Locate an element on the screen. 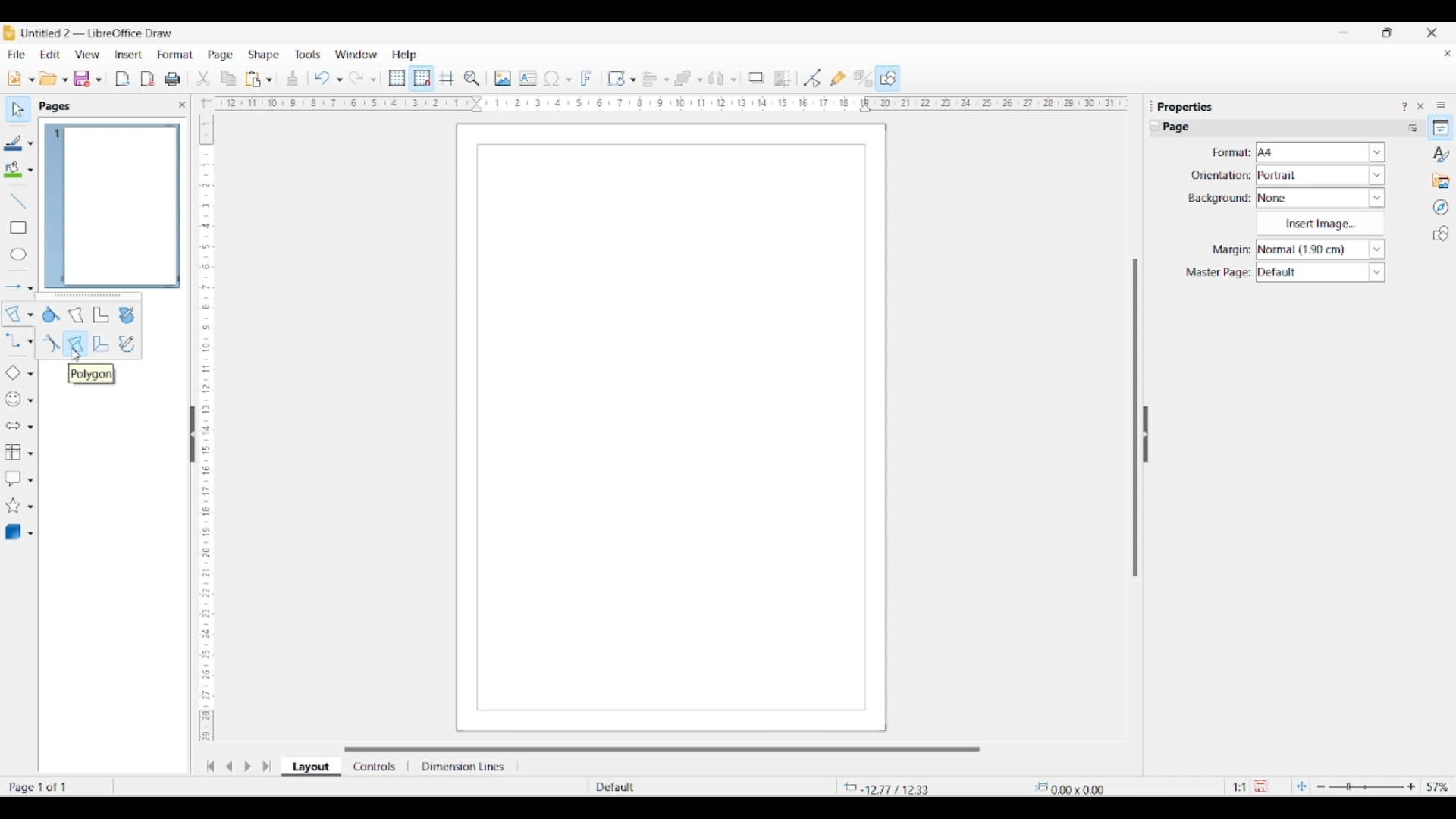 The height and width of the screenshot is (819, 1456). Page is located at coordinates (221, 56).